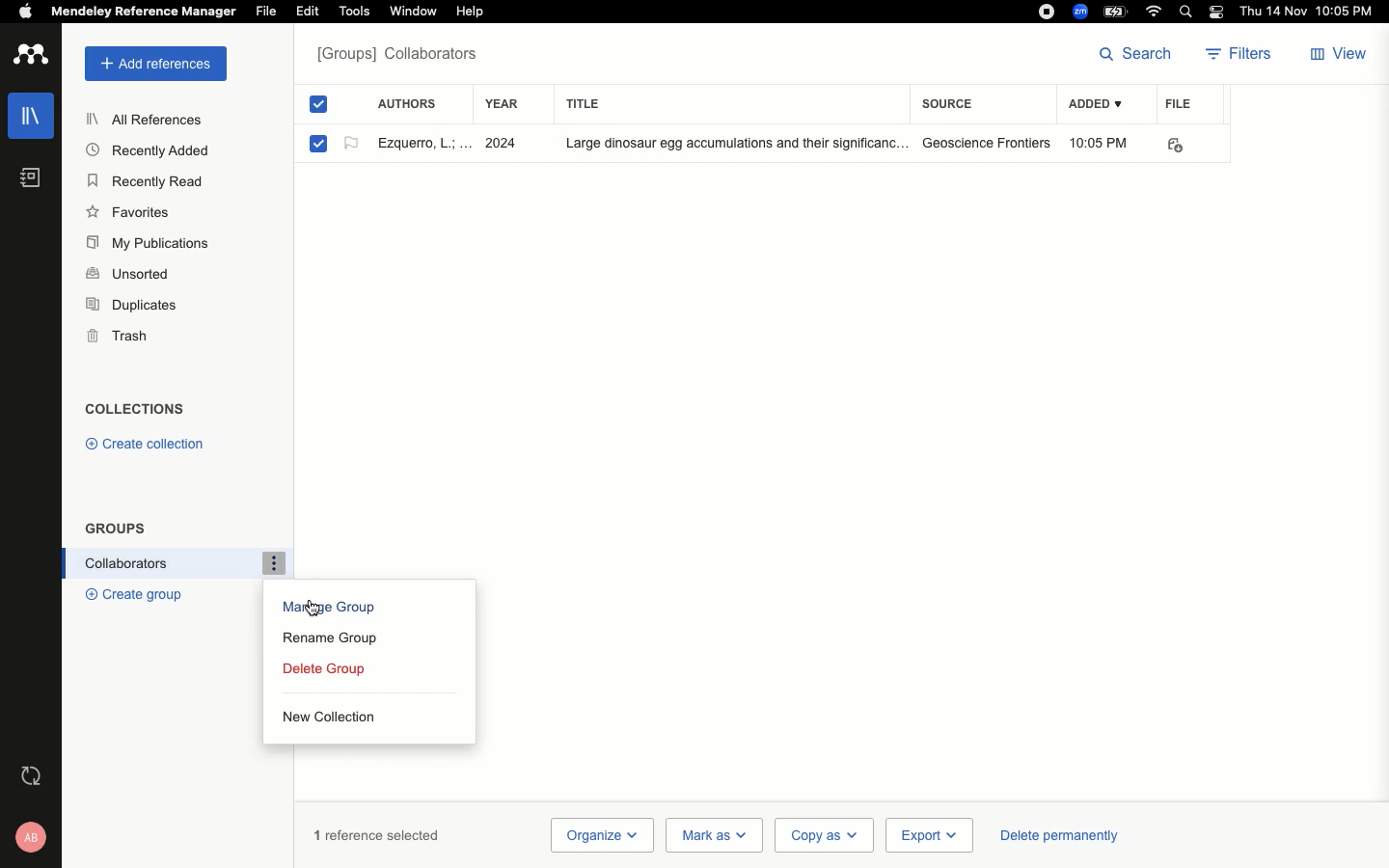 Image resolution: width=1389 pixels, height=868 pixels. I want to click on Notebook, so click(31, 178).